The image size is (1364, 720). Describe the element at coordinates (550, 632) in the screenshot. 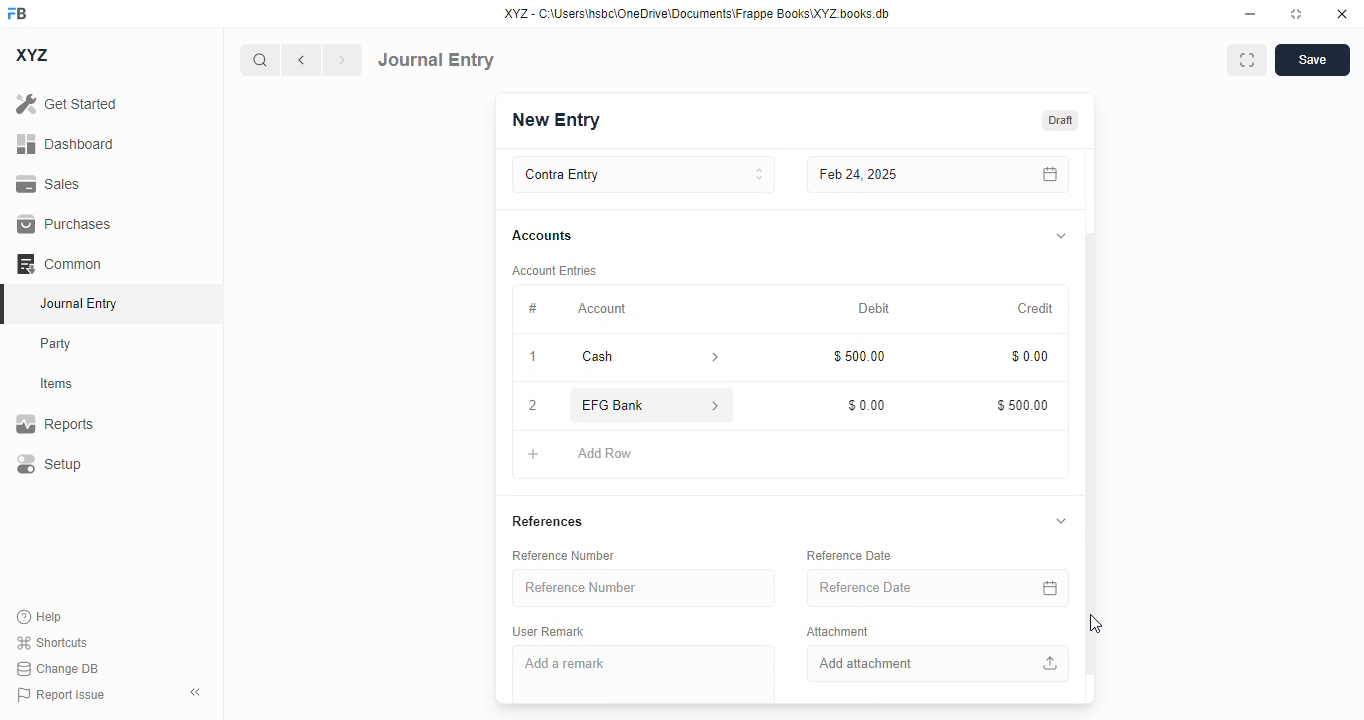

I see `user remark` at that location.